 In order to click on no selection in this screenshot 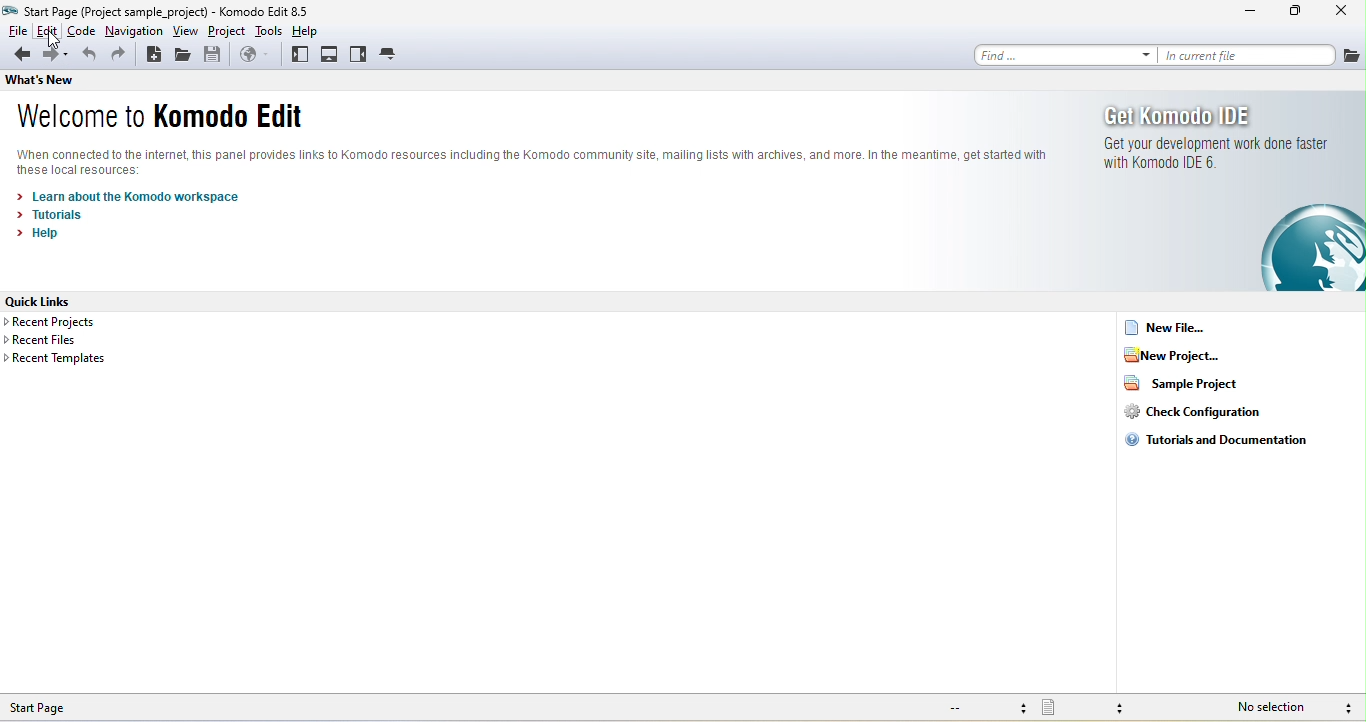, I will do `click(1274, 706)`.